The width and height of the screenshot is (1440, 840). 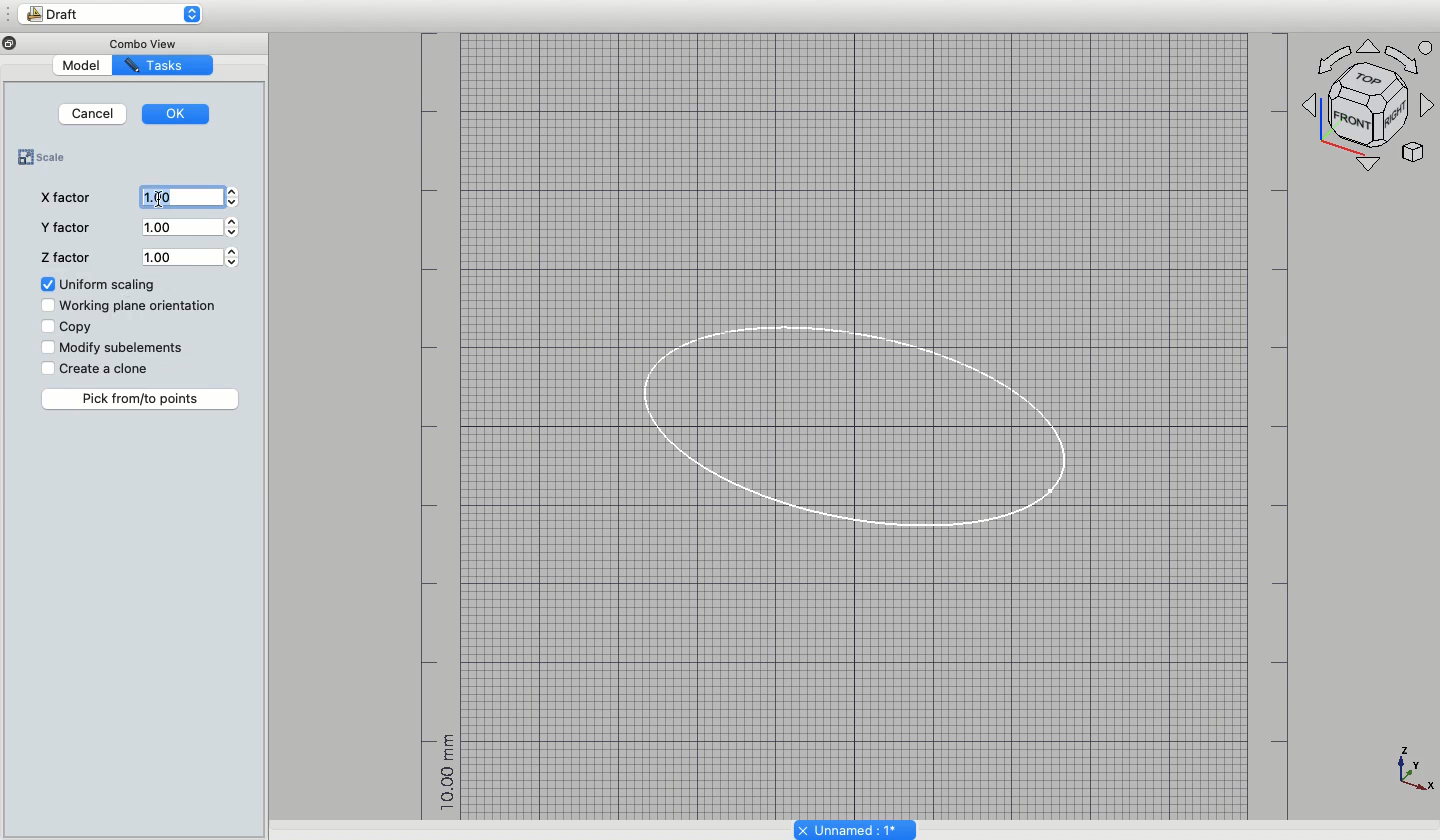 I want to click on Working plane orientation, so click(x=131, y=306).